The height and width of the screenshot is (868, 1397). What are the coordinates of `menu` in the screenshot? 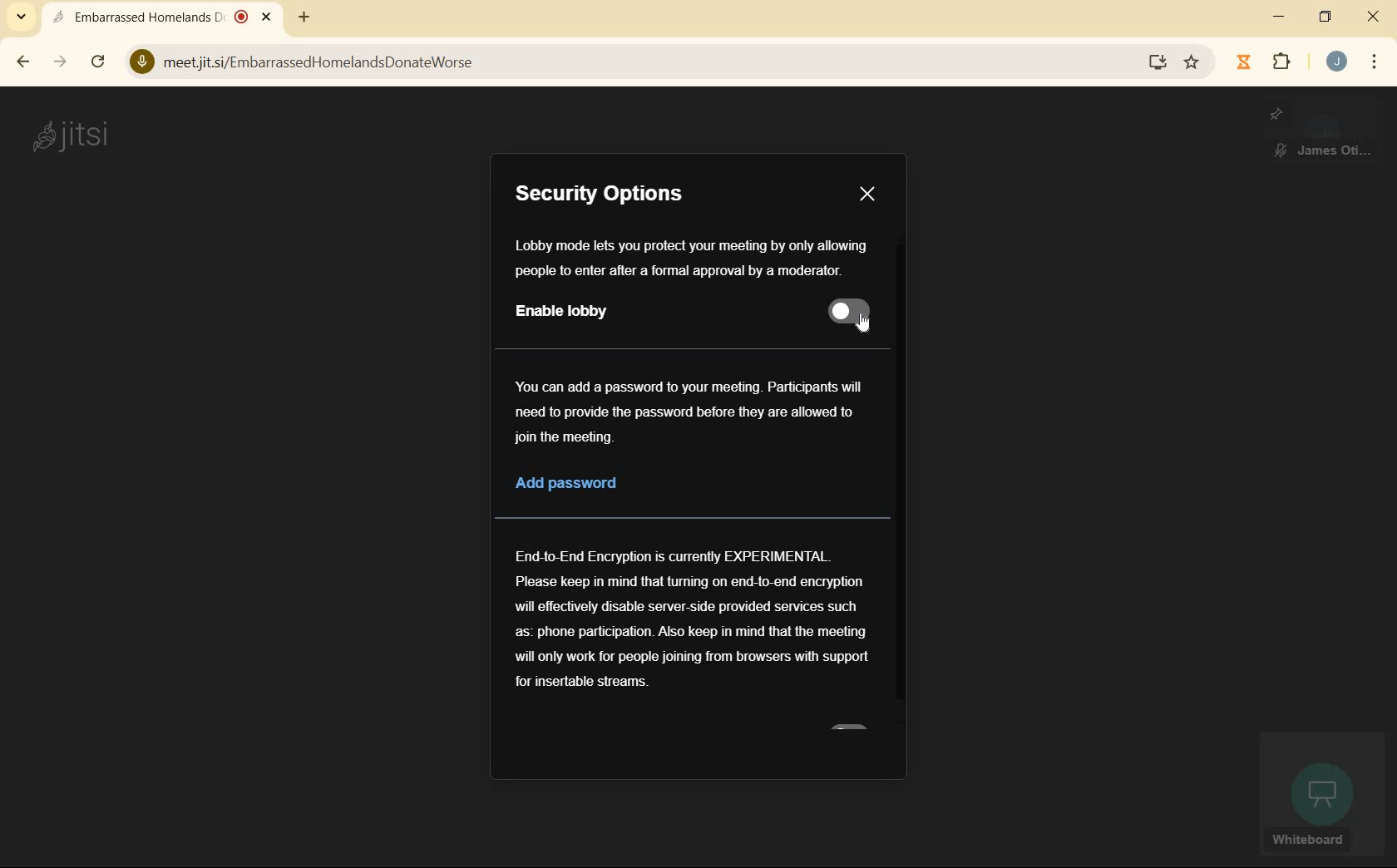 It's located at (1373, 65).